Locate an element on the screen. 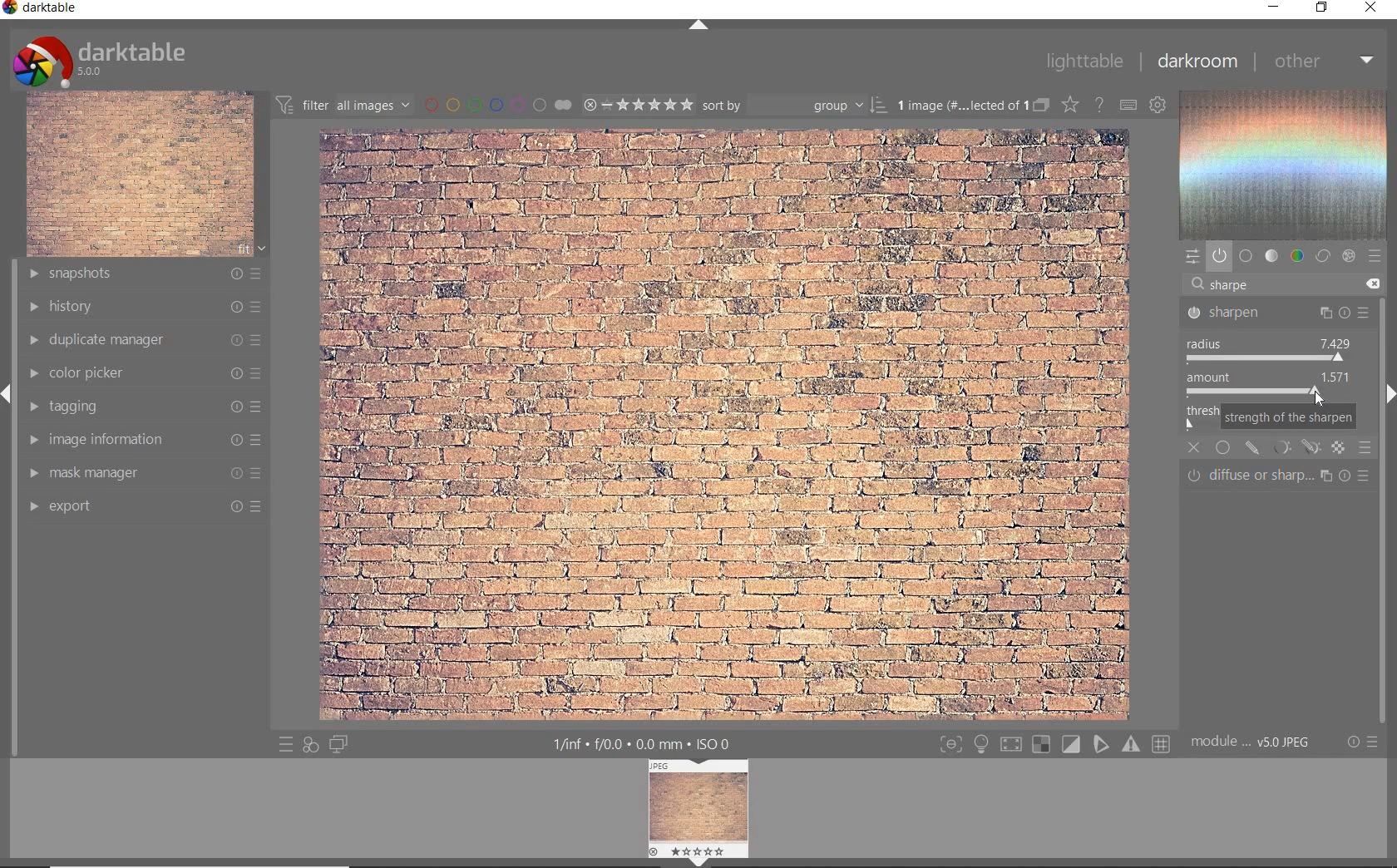 Image resolution: width=1397 pixels, height=868 pixels. AMOUNT 0.500 is located at coordinates (1276, 384).